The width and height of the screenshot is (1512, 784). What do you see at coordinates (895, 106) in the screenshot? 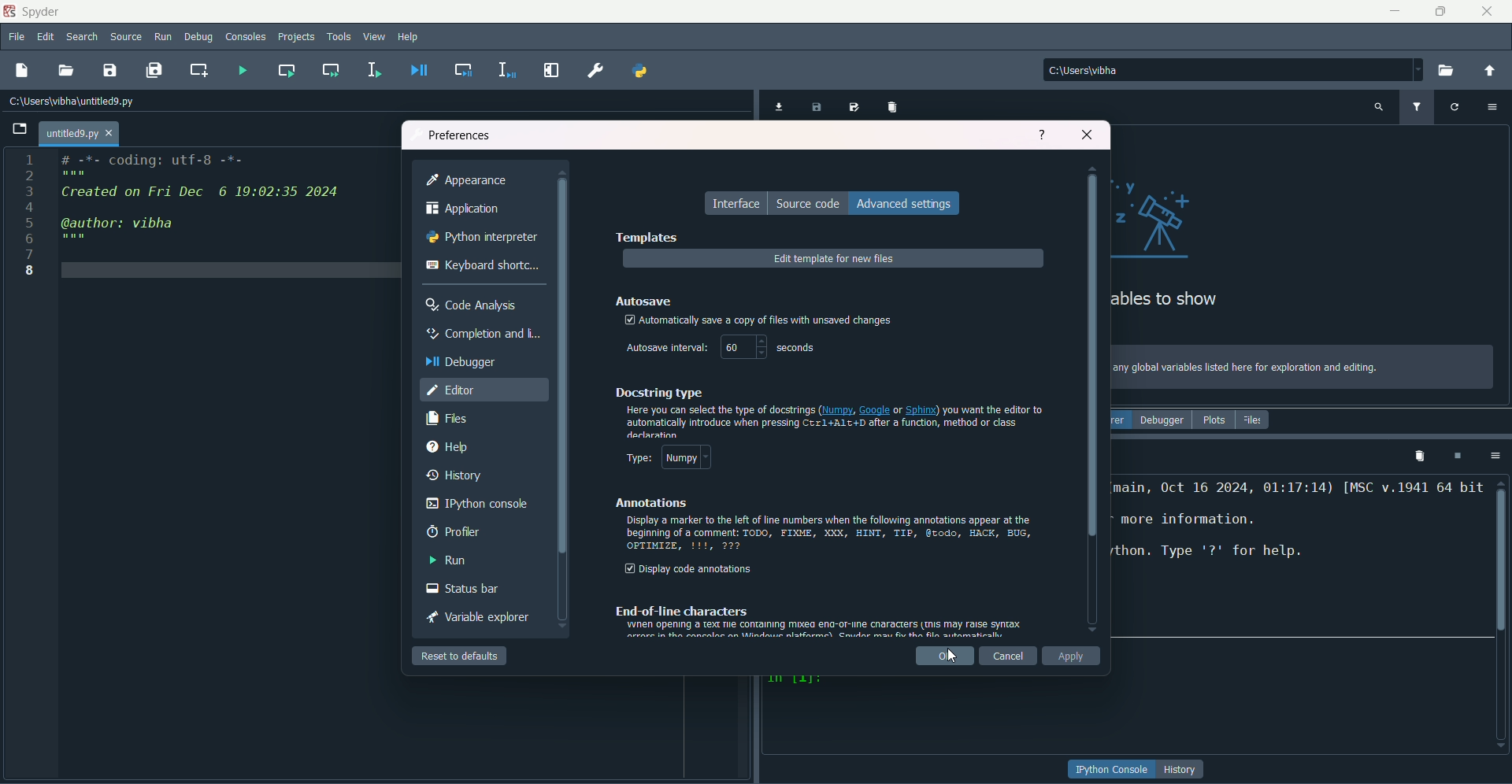
I see `remove all variables` at bounding box center [895, 106].